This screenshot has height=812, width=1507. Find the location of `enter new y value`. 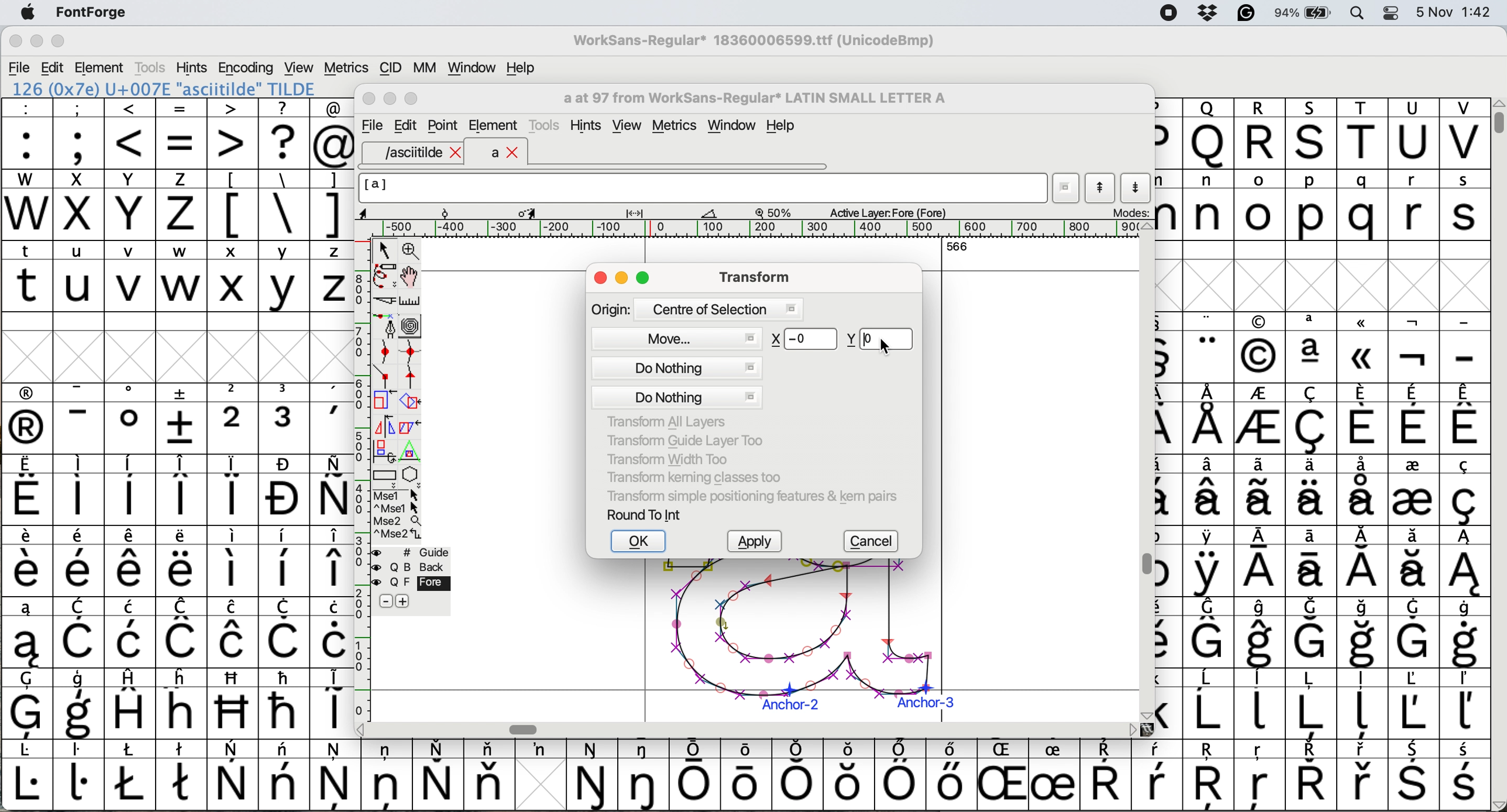

enter new y value is located at coordinates (884, 338).